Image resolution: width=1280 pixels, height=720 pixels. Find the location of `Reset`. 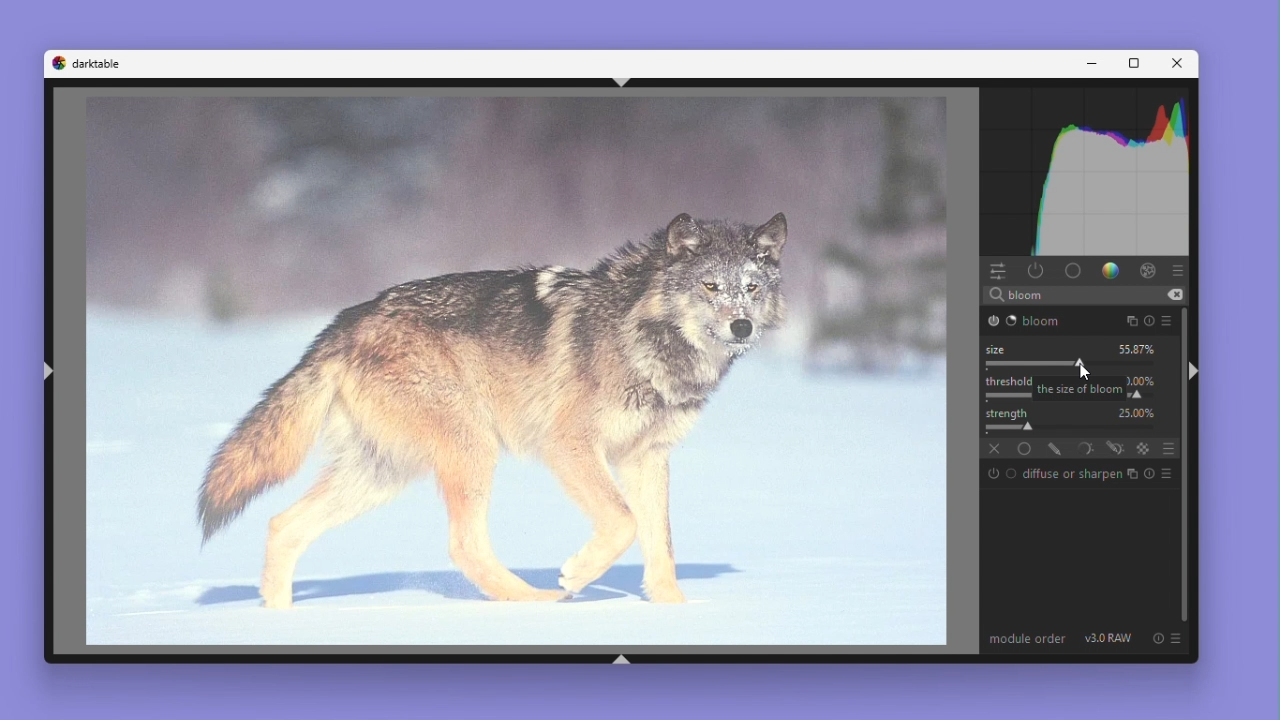

Reset is located at coordinates (1150, 320).